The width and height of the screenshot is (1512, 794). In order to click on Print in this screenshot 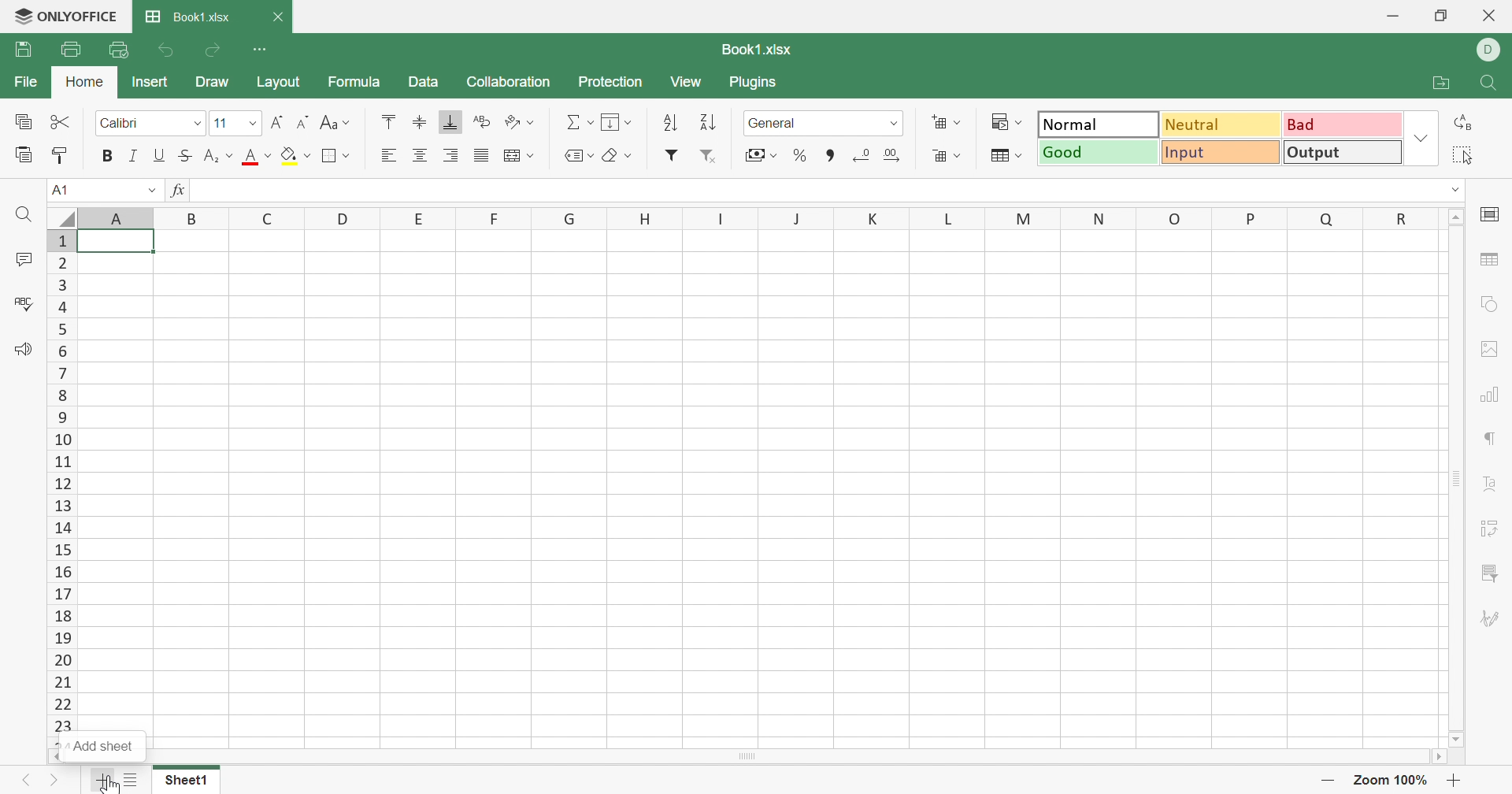, I will do `click(72, 50)`.